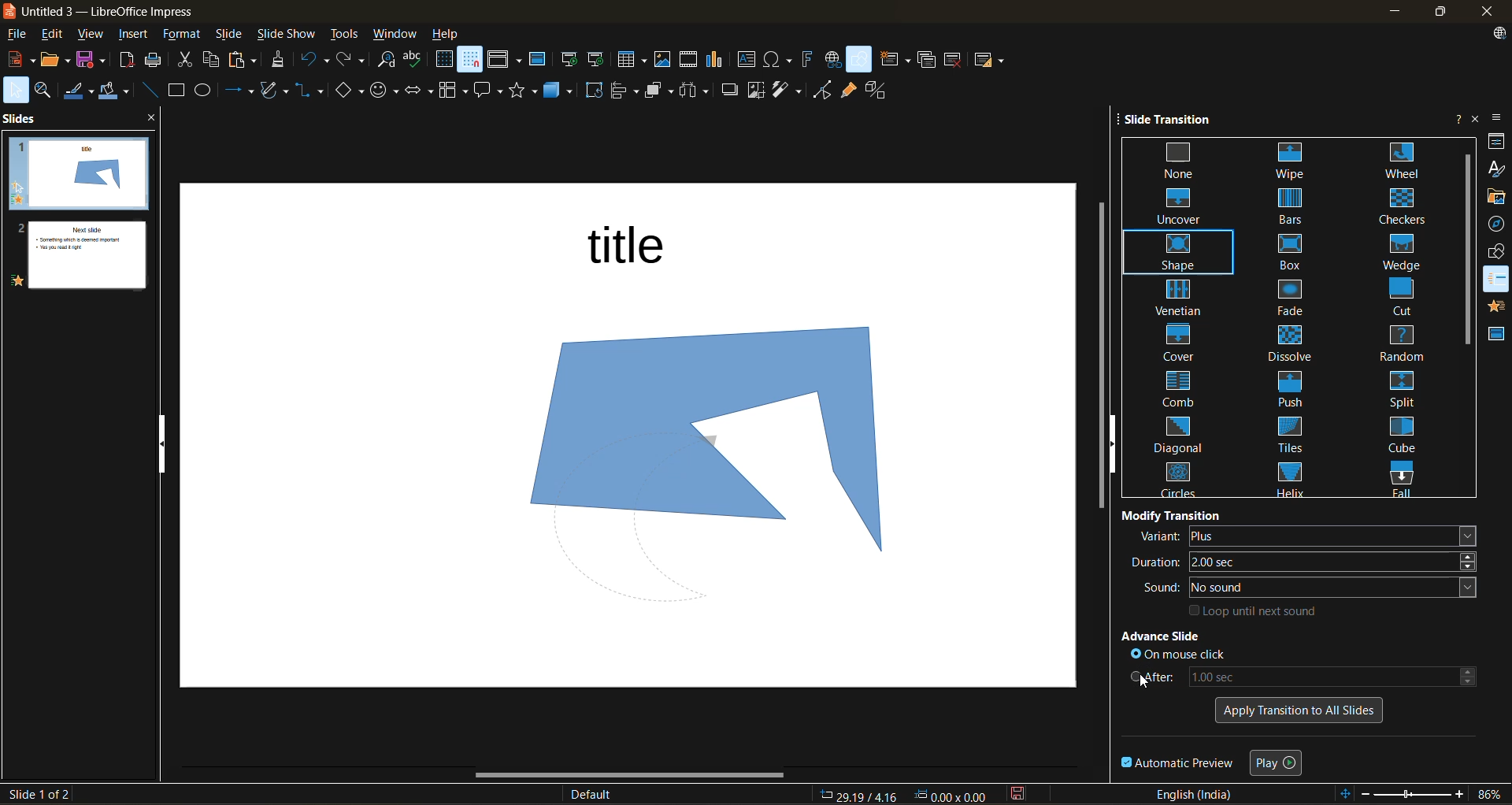  Describe the element at coordinates (154, 121) in the screenshot. I see `close pane` at that location.